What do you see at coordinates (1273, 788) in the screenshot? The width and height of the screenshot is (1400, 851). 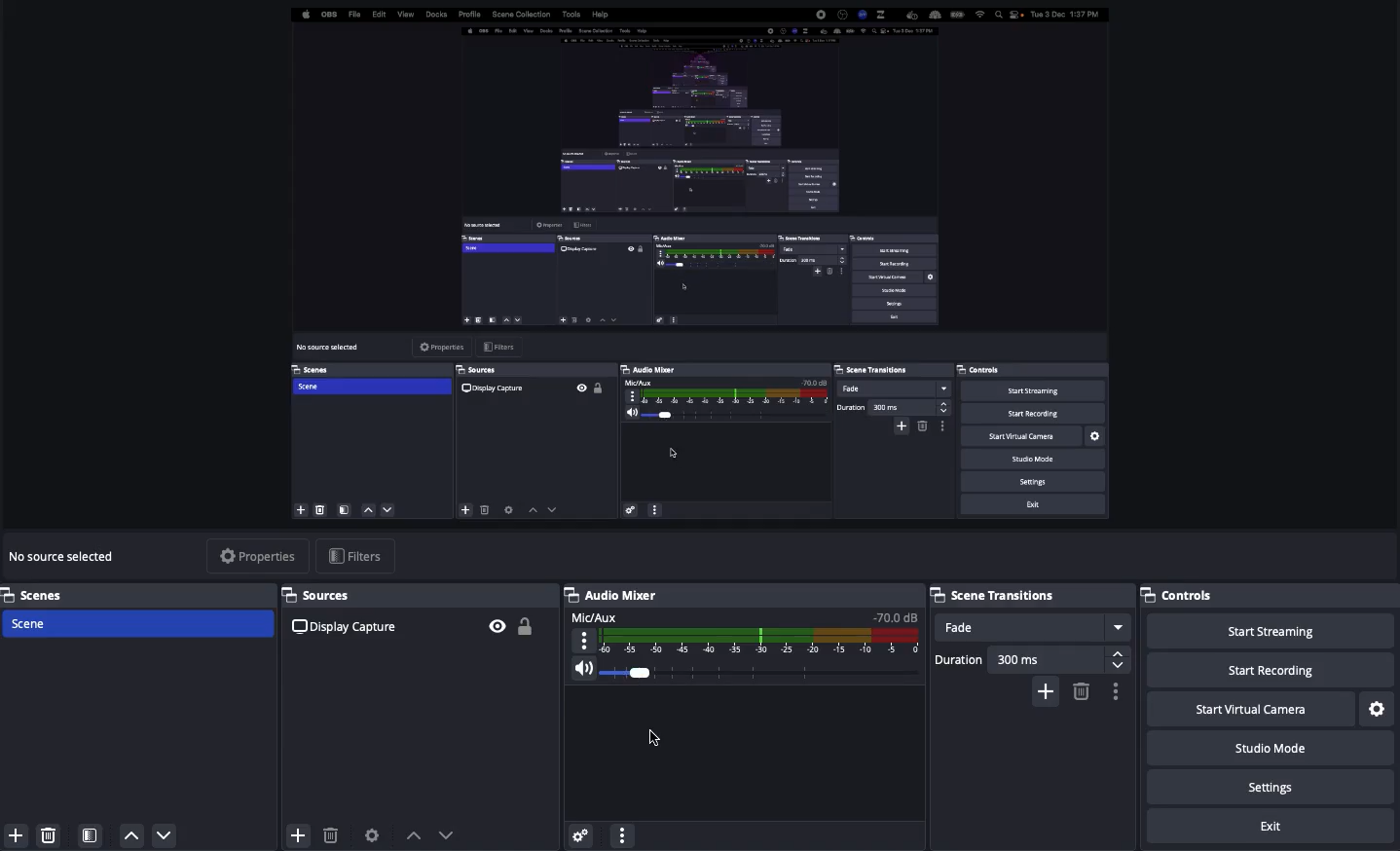 I see `Settings` at bounding box center [1273, 788].